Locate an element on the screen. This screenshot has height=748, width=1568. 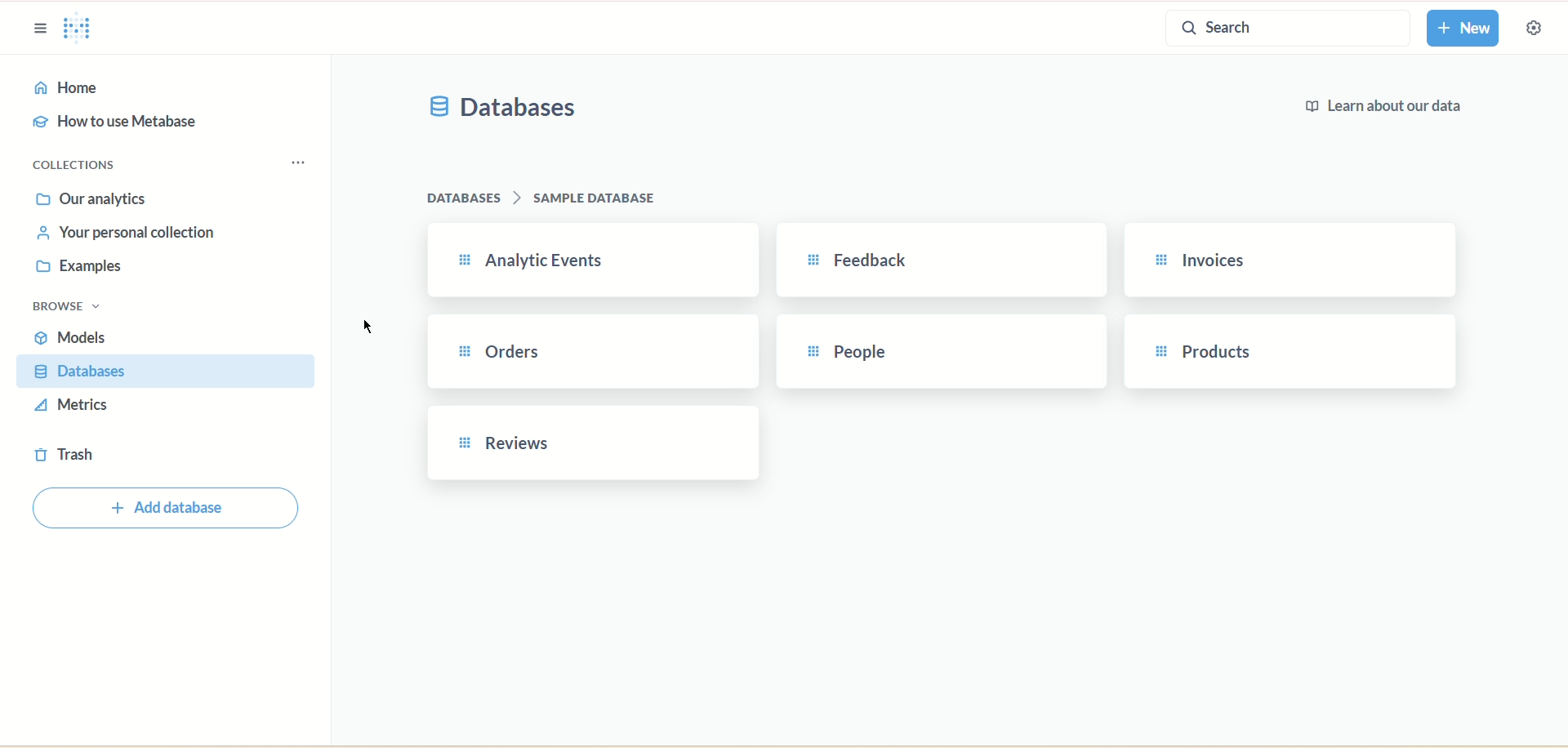
your personal collection is located at coordinates (129, 233).